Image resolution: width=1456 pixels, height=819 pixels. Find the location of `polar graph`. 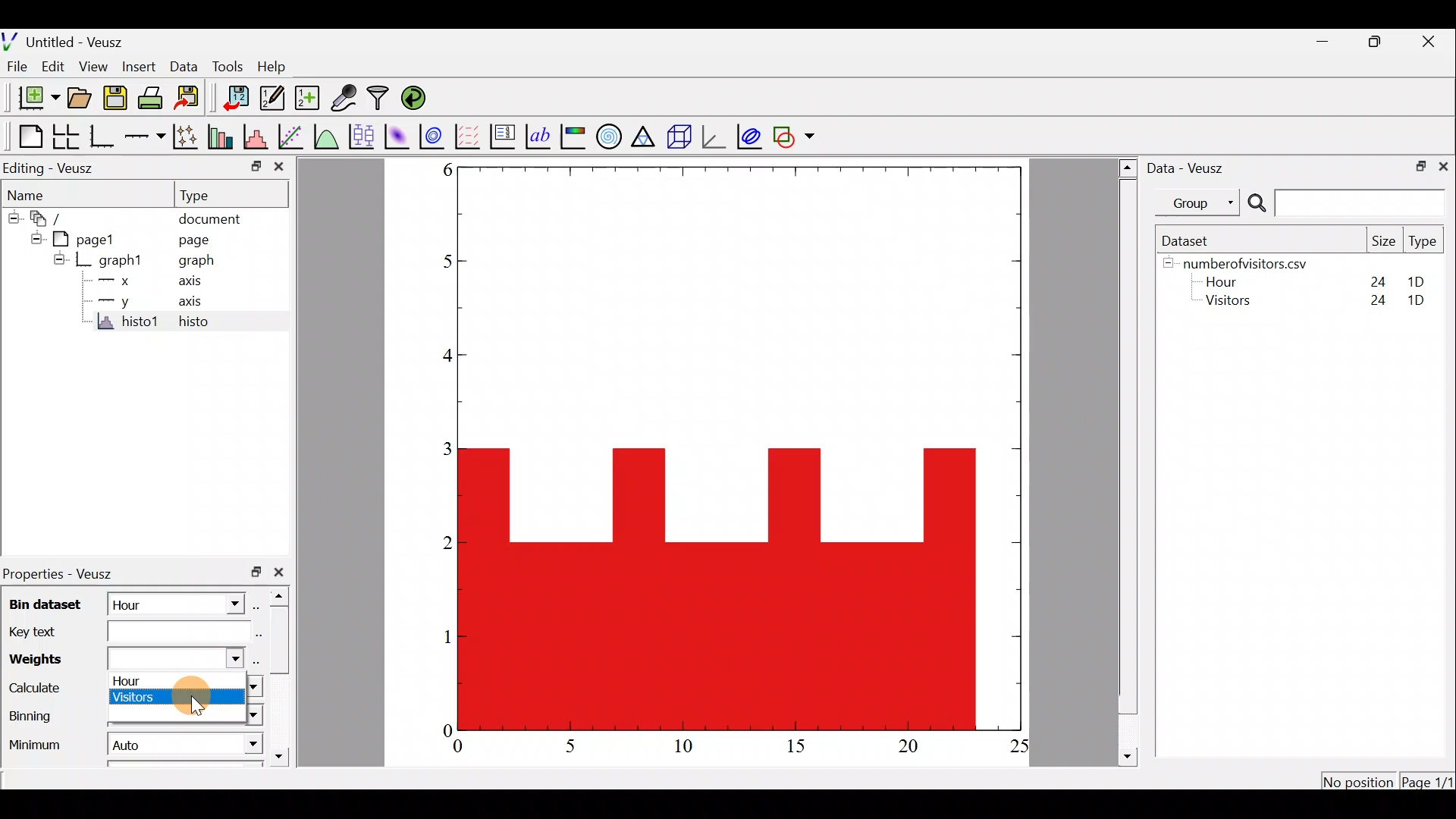

polar graph is located at coordinates (610, 138).